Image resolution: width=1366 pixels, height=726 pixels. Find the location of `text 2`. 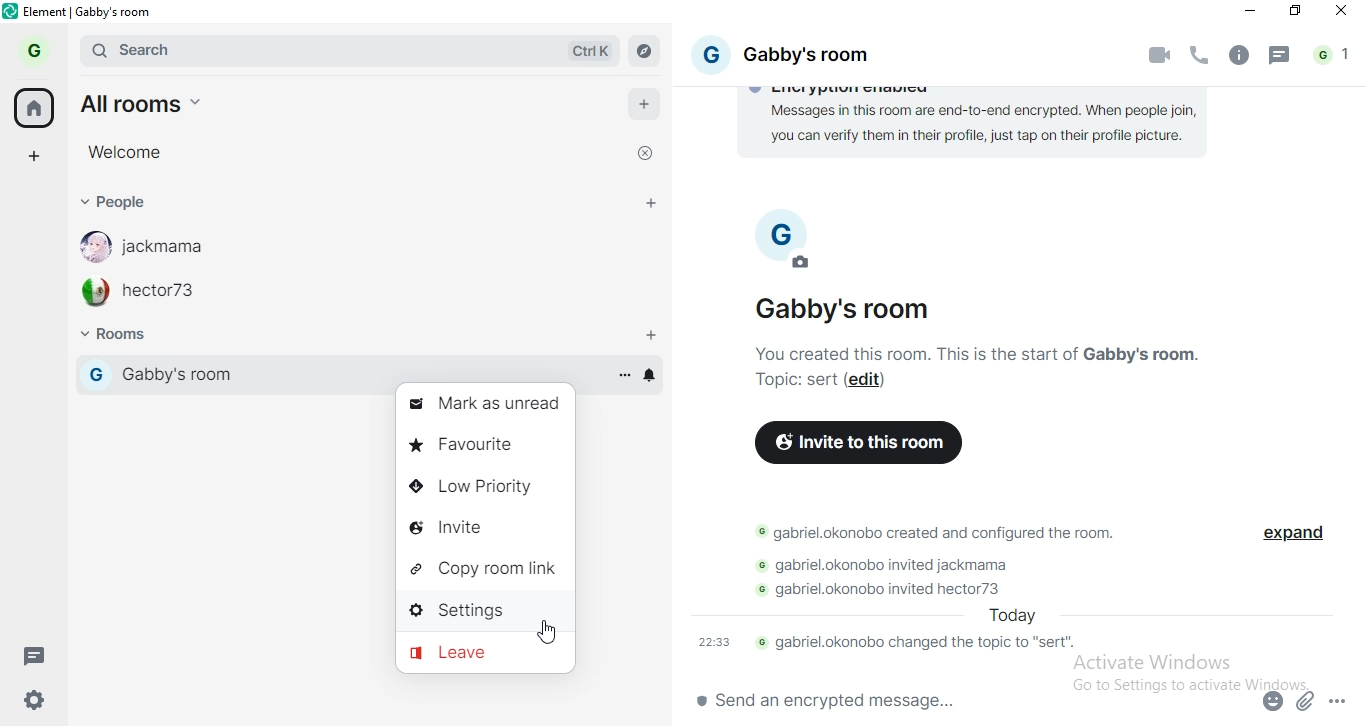

text 2 is located at coordinates (994, 353).